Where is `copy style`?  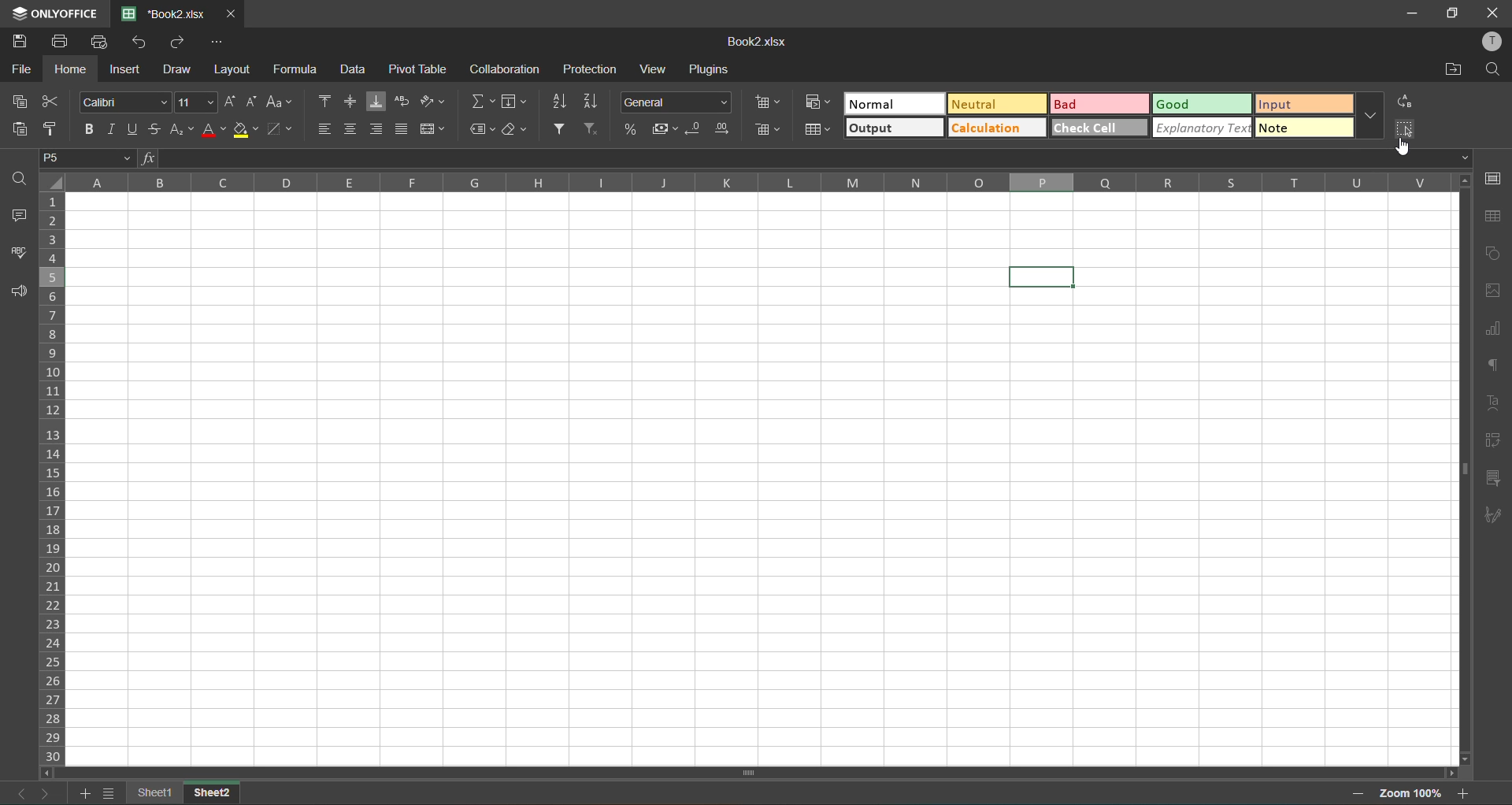 copy style is located at coordinates (55, 129).